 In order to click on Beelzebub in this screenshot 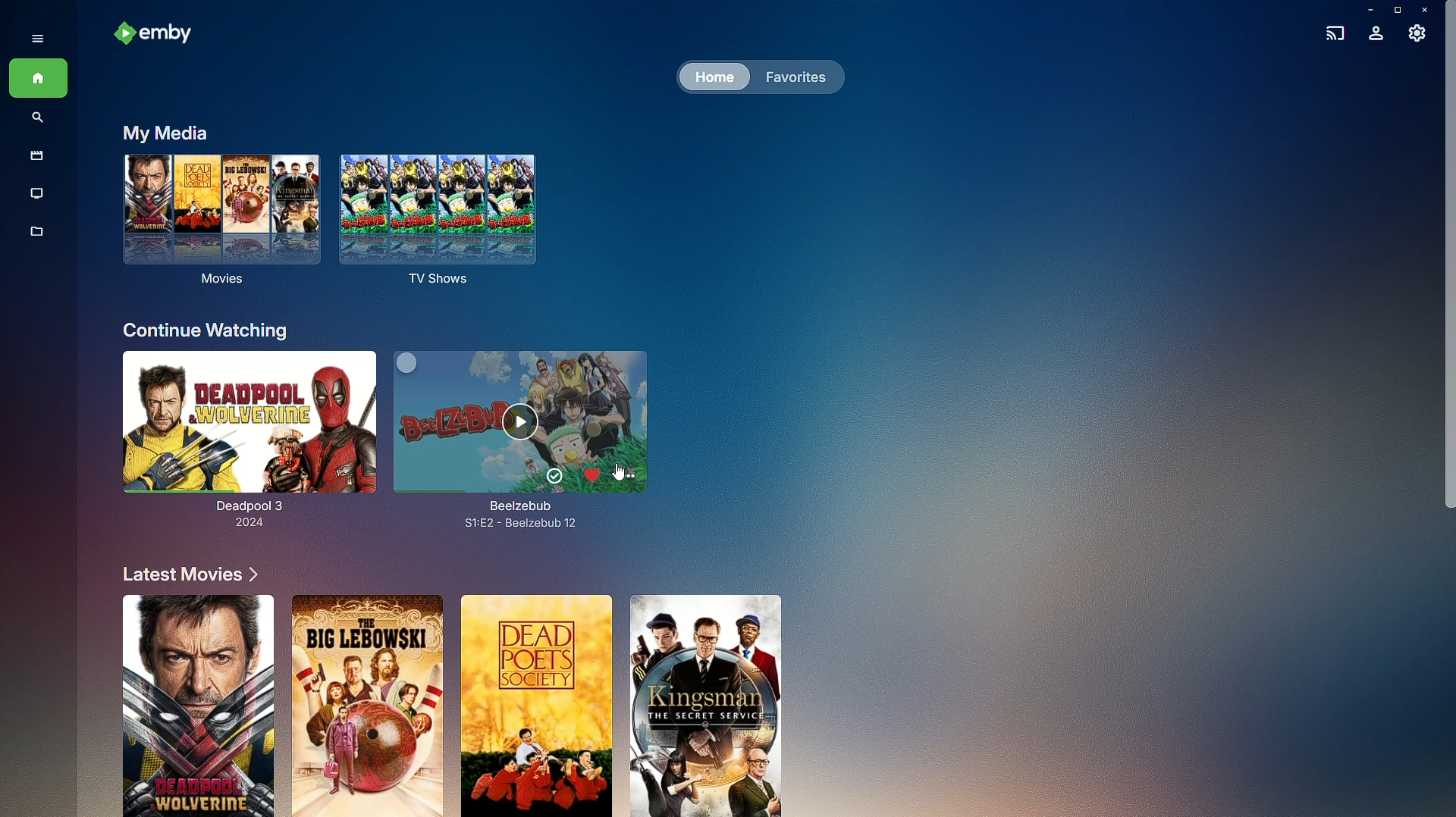, I will do `click(538, 434)`.